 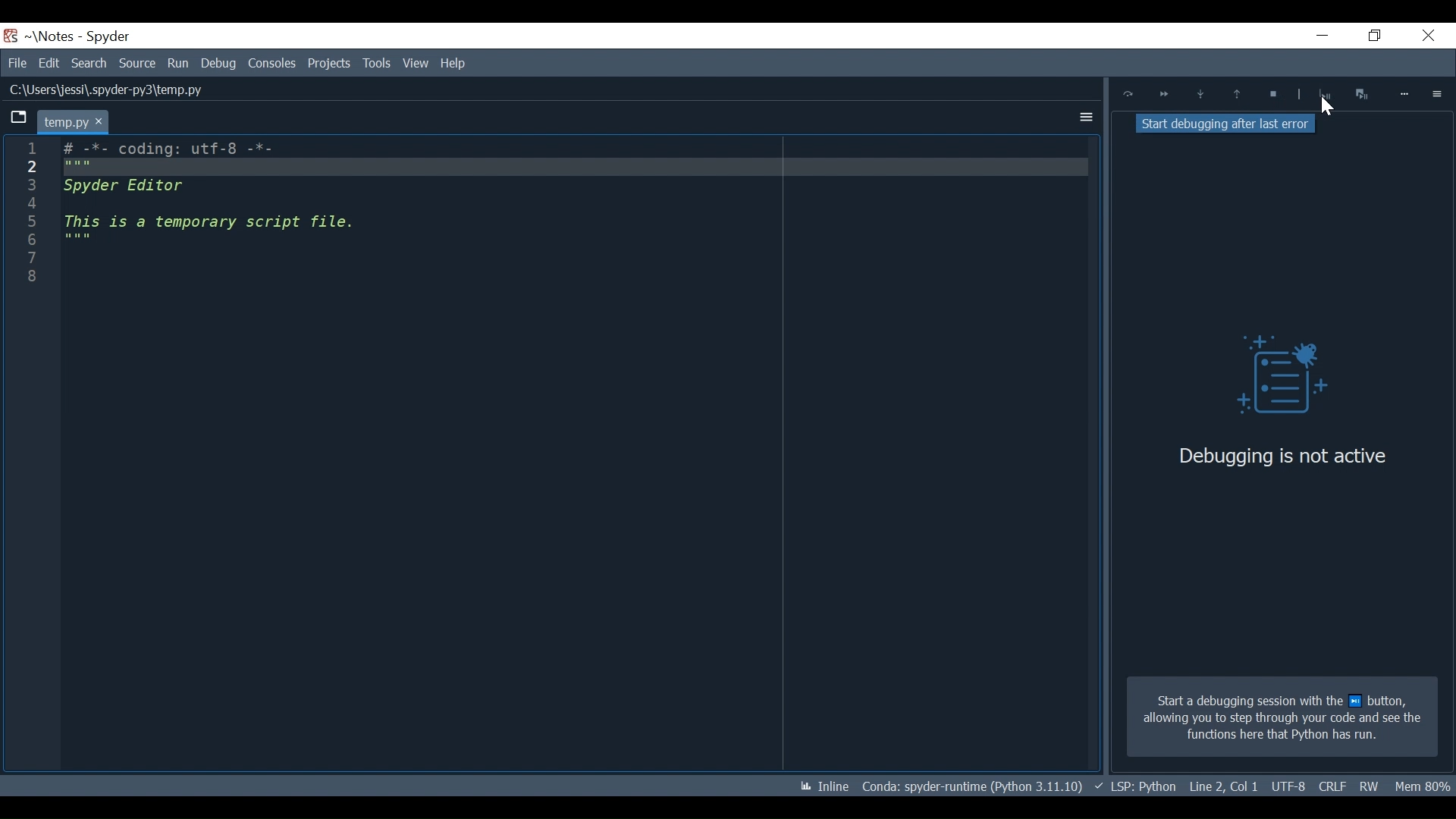 What do you see at coordinates (1313, 37) in the screenshot?
I see `Minimize` at bounding box center [1313, 37].